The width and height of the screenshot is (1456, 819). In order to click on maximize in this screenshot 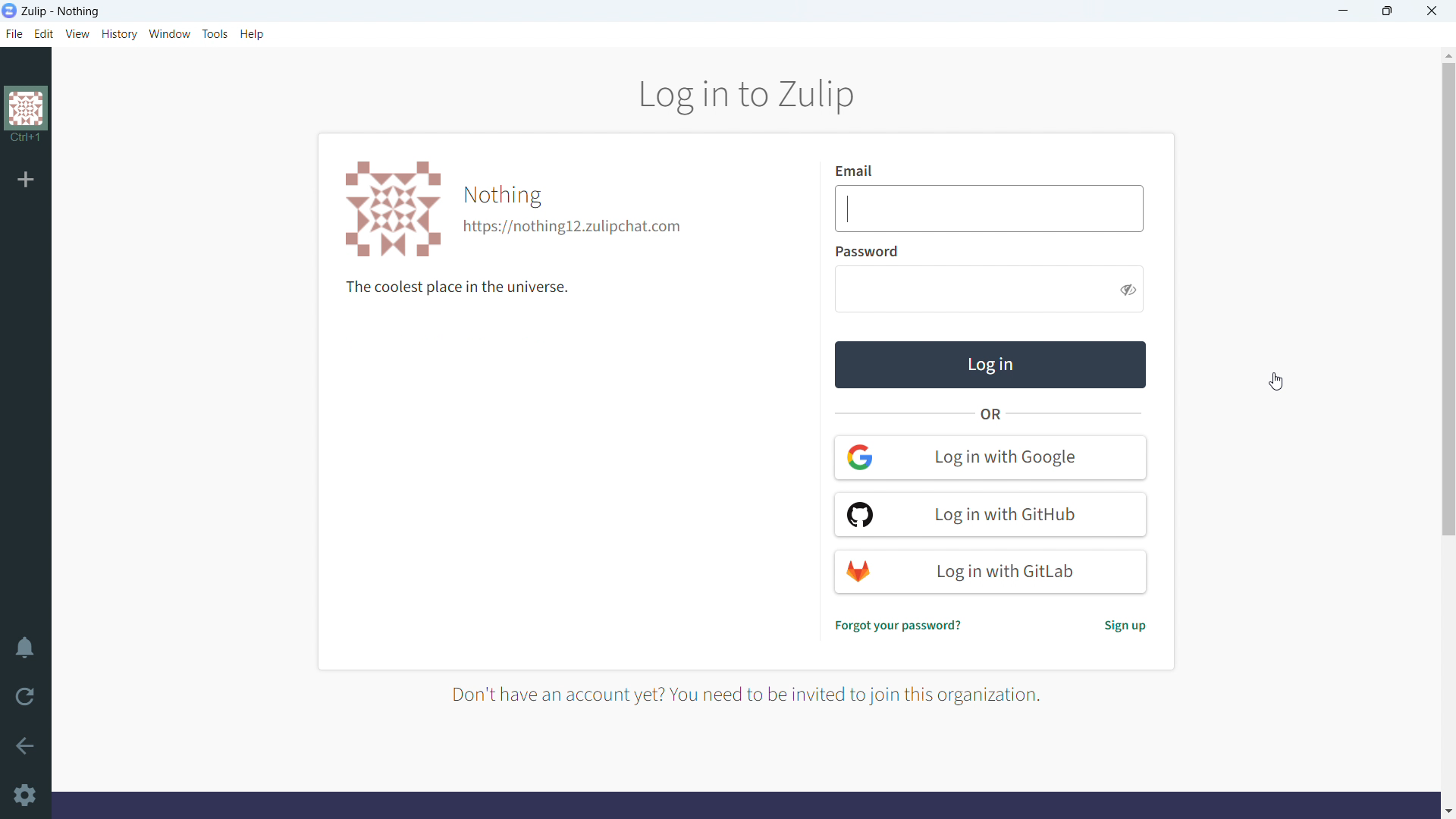, I will do `click(1386, 11)`.